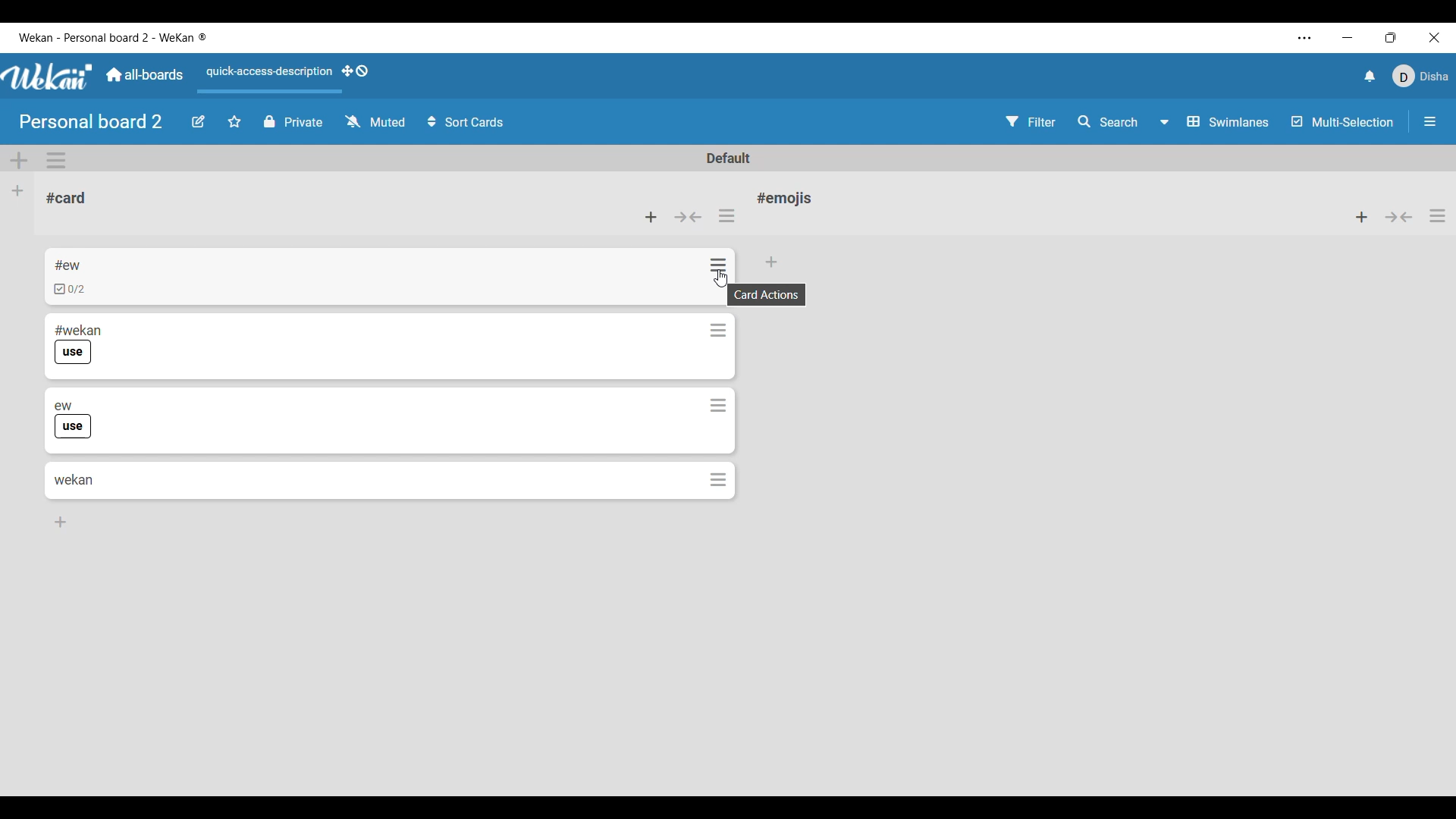 The height and width of the screenshot is (819, 1456). Describe the element at coordinates (70, 290) in the screenshot. I see `Indicates checklist in card 1` at that location.